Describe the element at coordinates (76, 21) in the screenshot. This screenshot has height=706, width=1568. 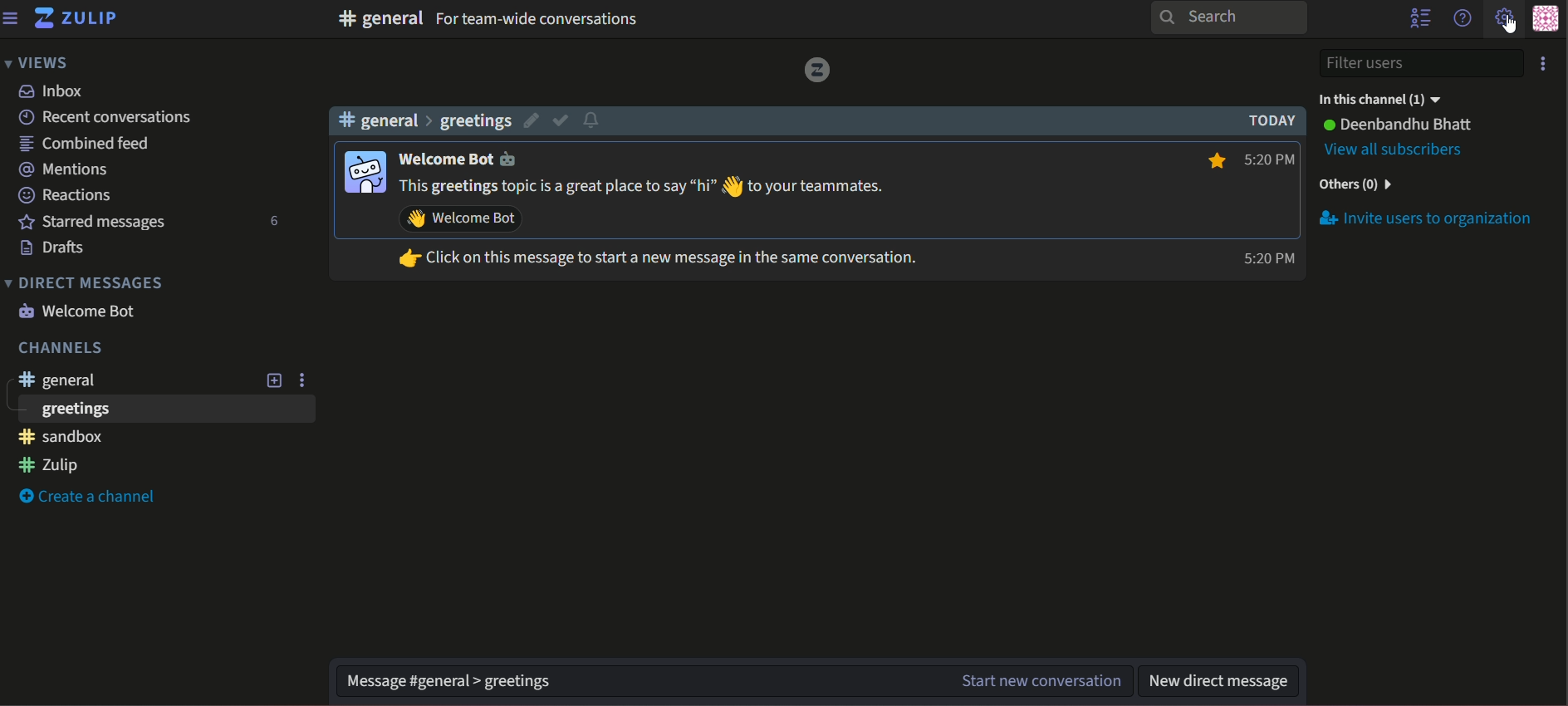
I see `name and logo` at that location.